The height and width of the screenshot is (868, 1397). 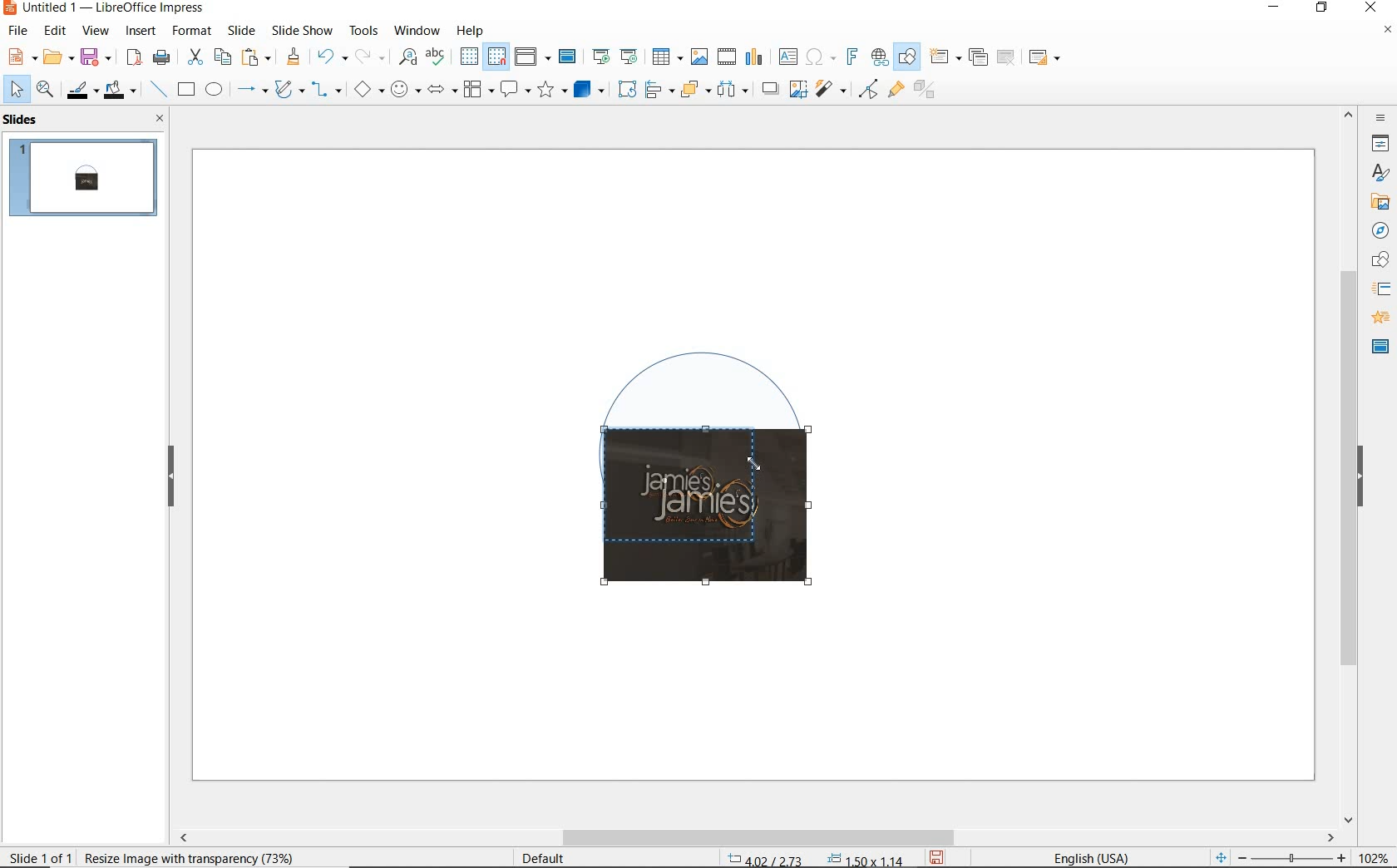 I want to click on slide 1, so click(x=86, y=180).